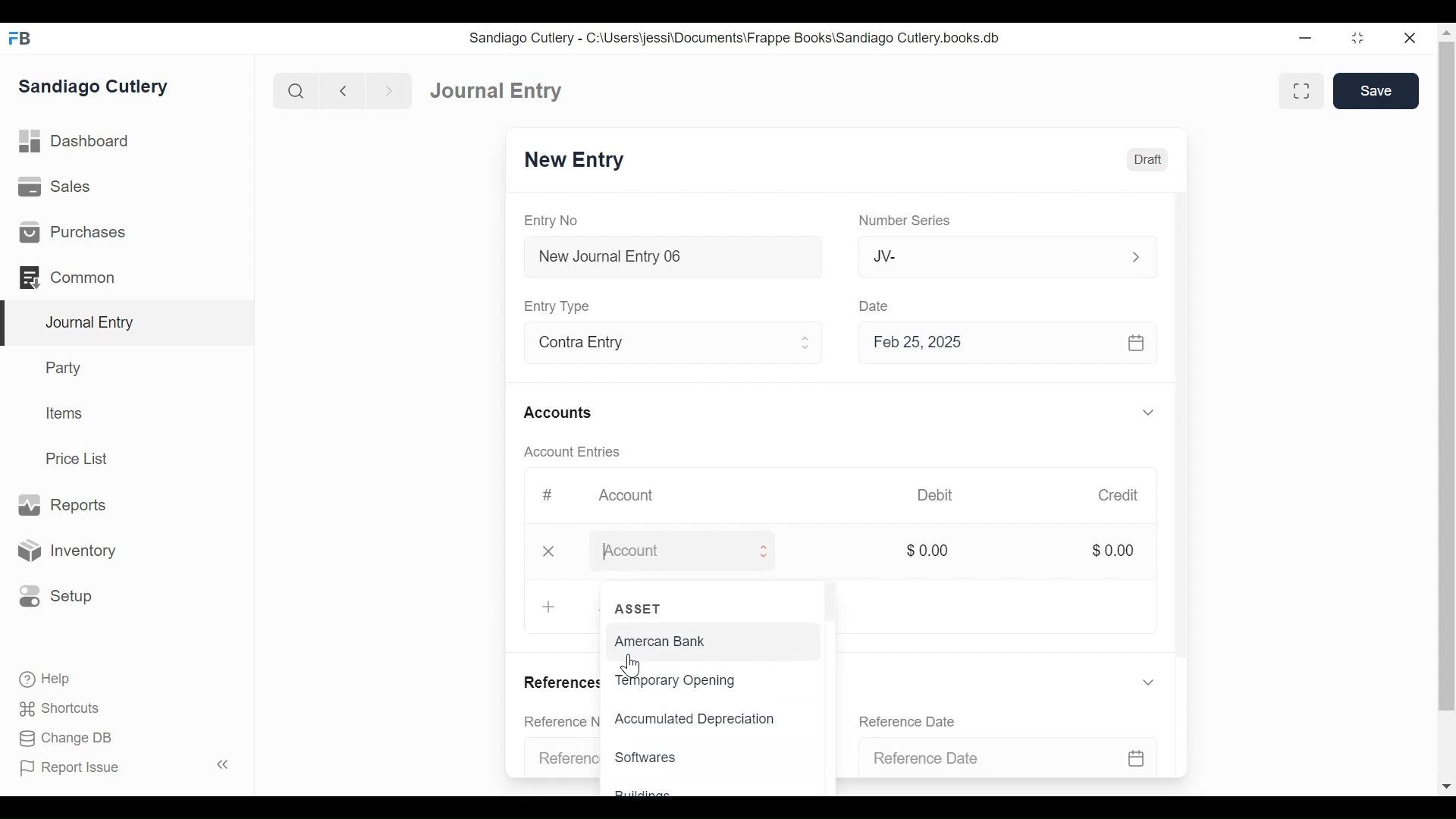 The width and height of the screenshot is (1456, 819). Describe the element at coordinates (1363, 38) in the screenshot. I see `Restore` at that location.